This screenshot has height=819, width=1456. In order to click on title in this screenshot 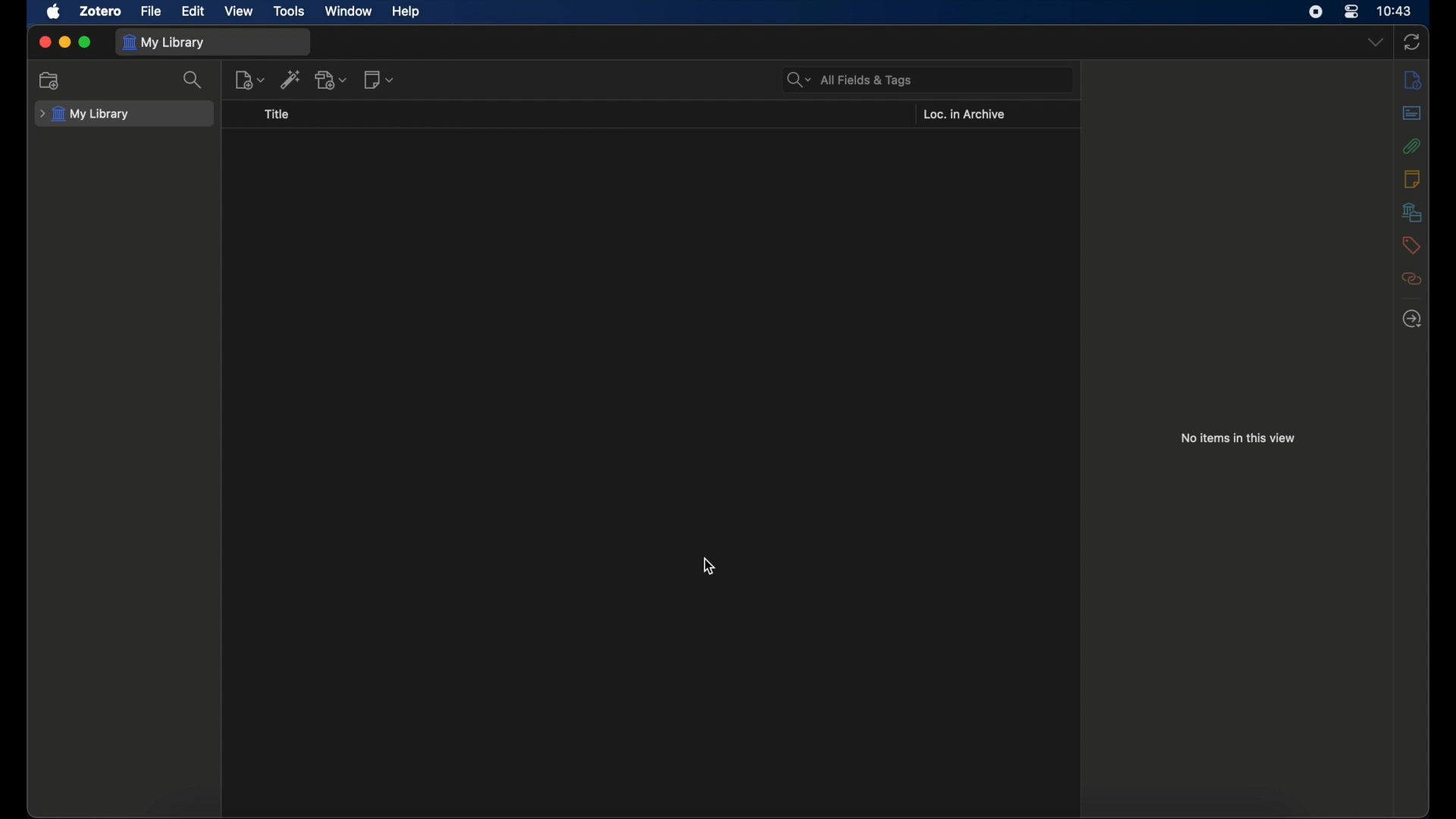, I will do `click(278, 115)`.